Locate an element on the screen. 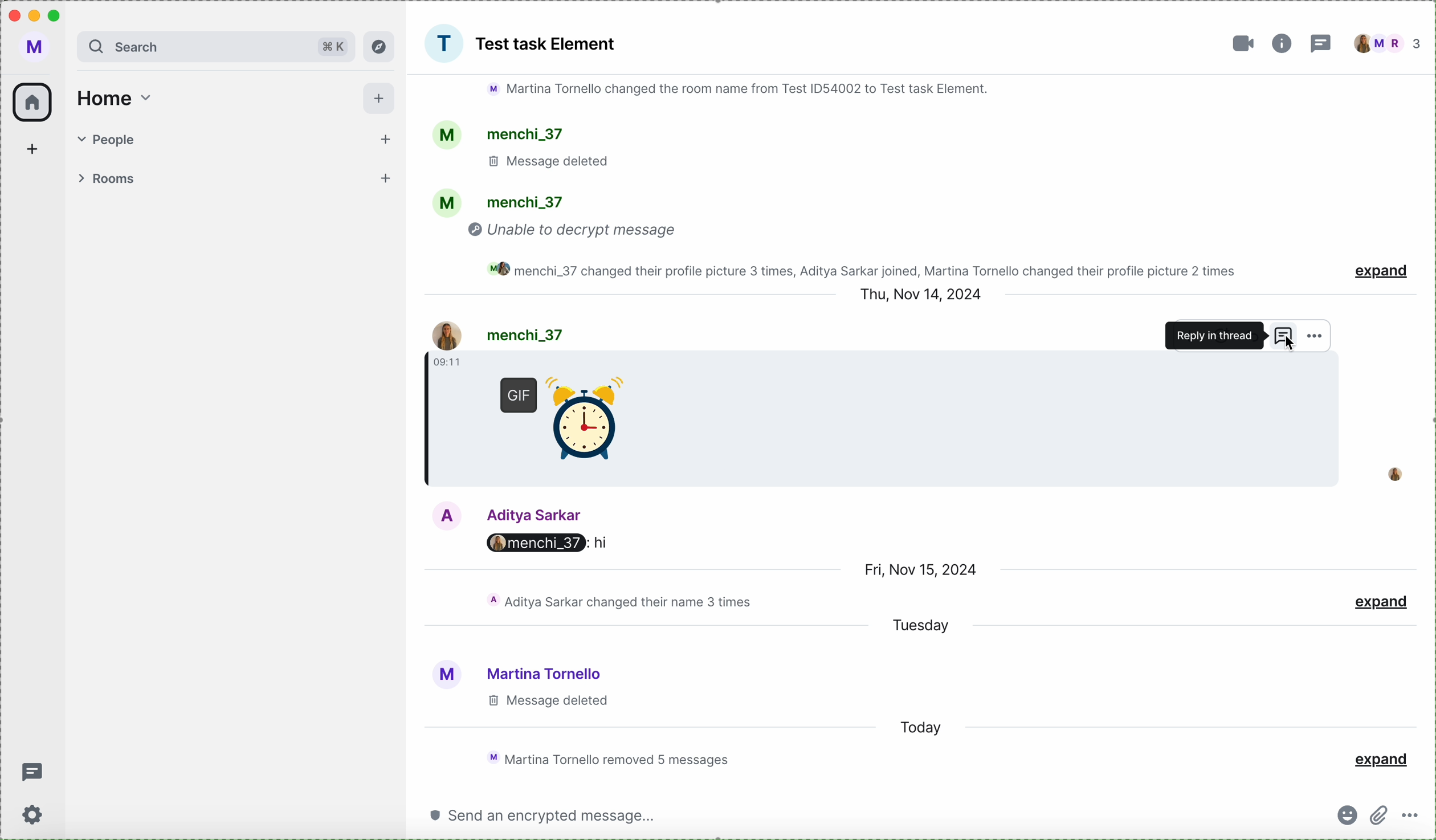 The image size is (1436, 840). expand is located at coordinates (1381, 274).